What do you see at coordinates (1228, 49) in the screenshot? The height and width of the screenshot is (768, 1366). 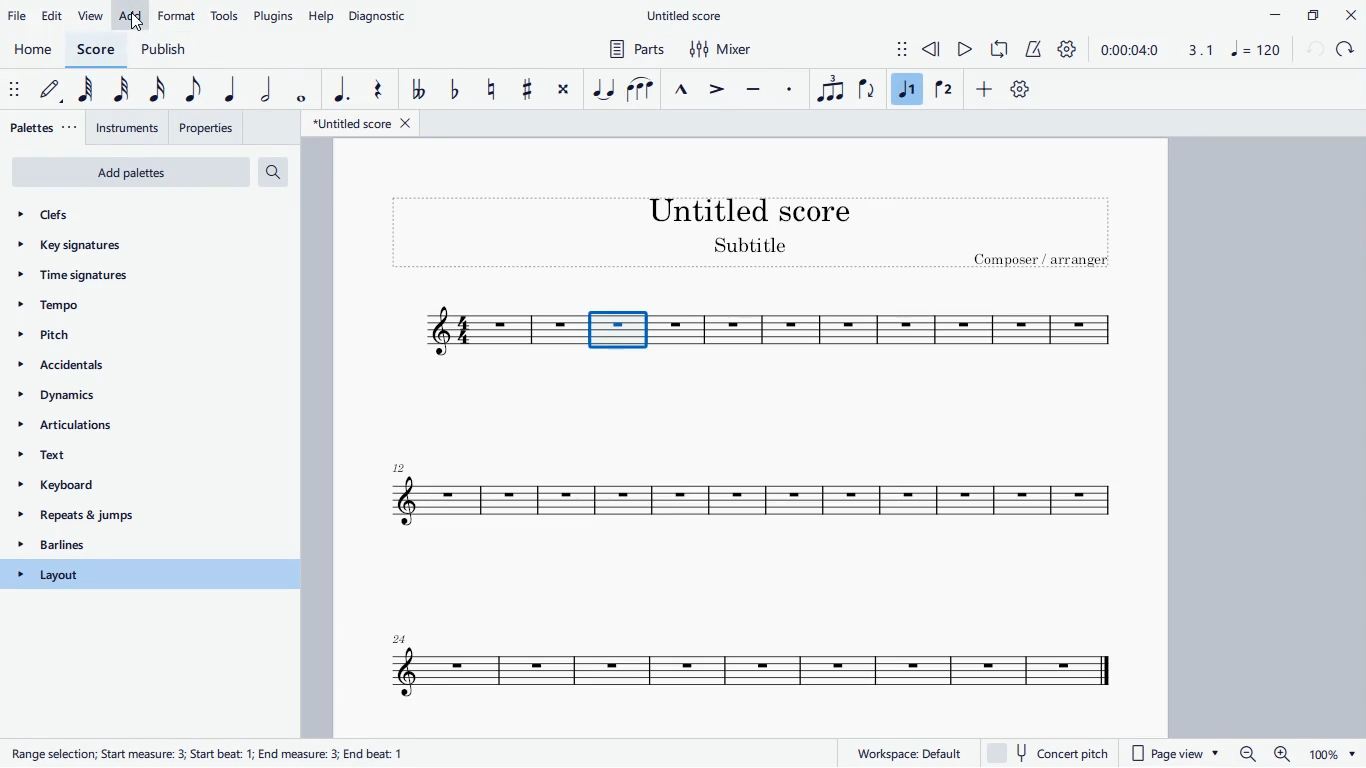 I see `scale` at bounding box center [1228, 49].